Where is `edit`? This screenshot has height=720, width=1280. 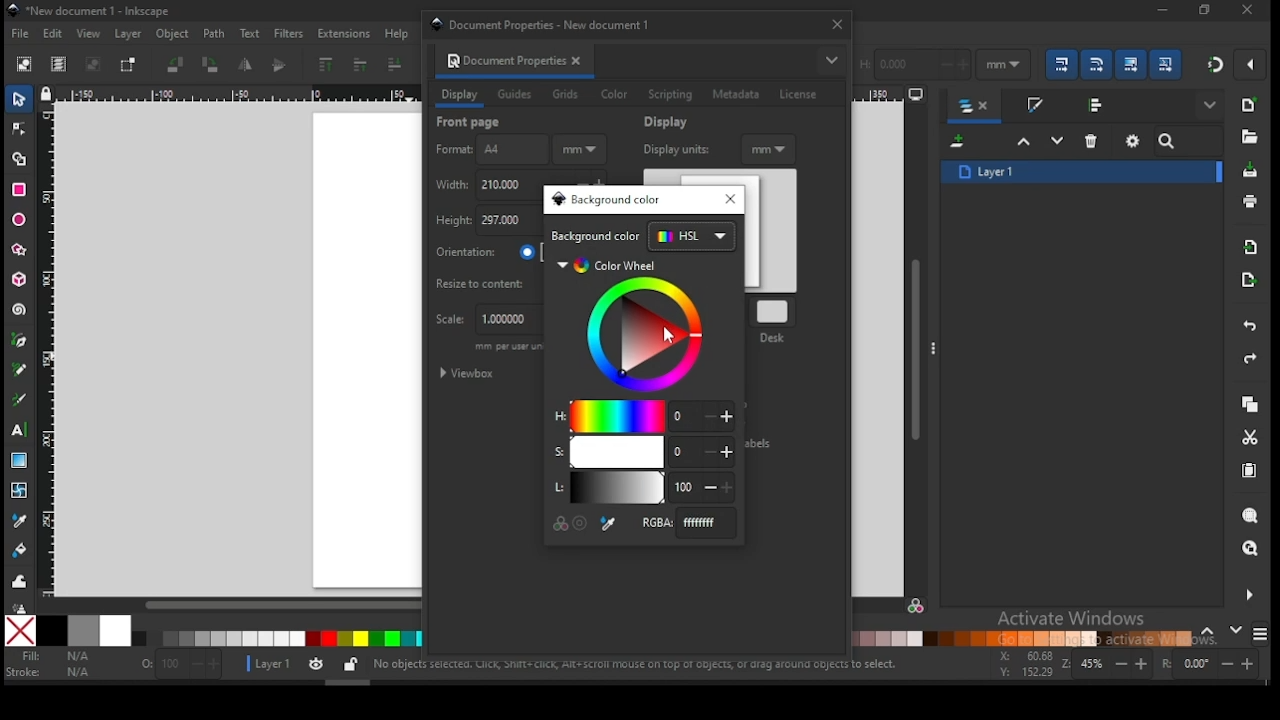
edit is located at coordinates (56, 34).